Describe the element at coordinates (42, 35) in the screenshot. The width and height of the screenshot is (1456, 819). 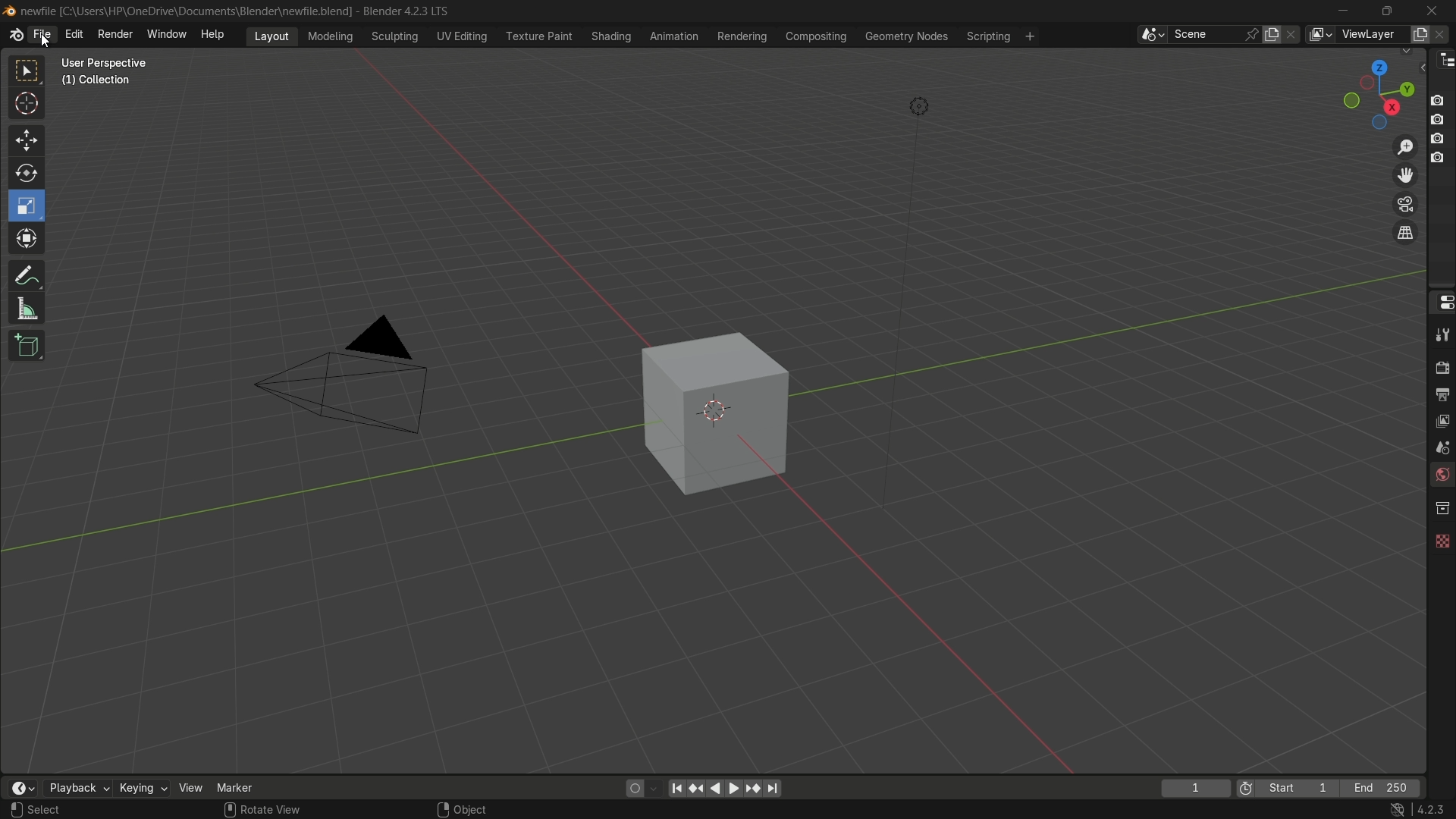
I see `file menu` at that location.